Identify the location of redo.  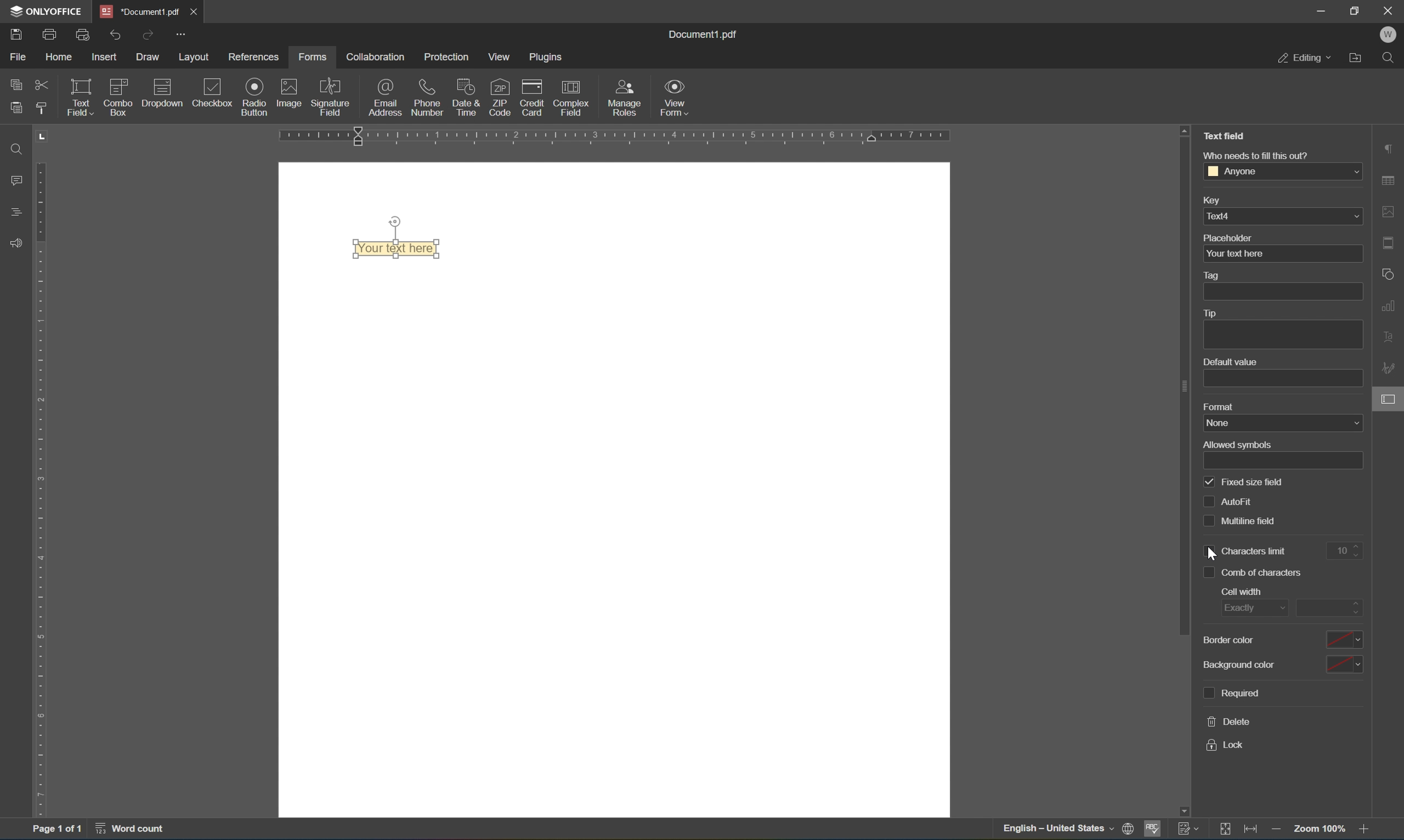
(146, 36).